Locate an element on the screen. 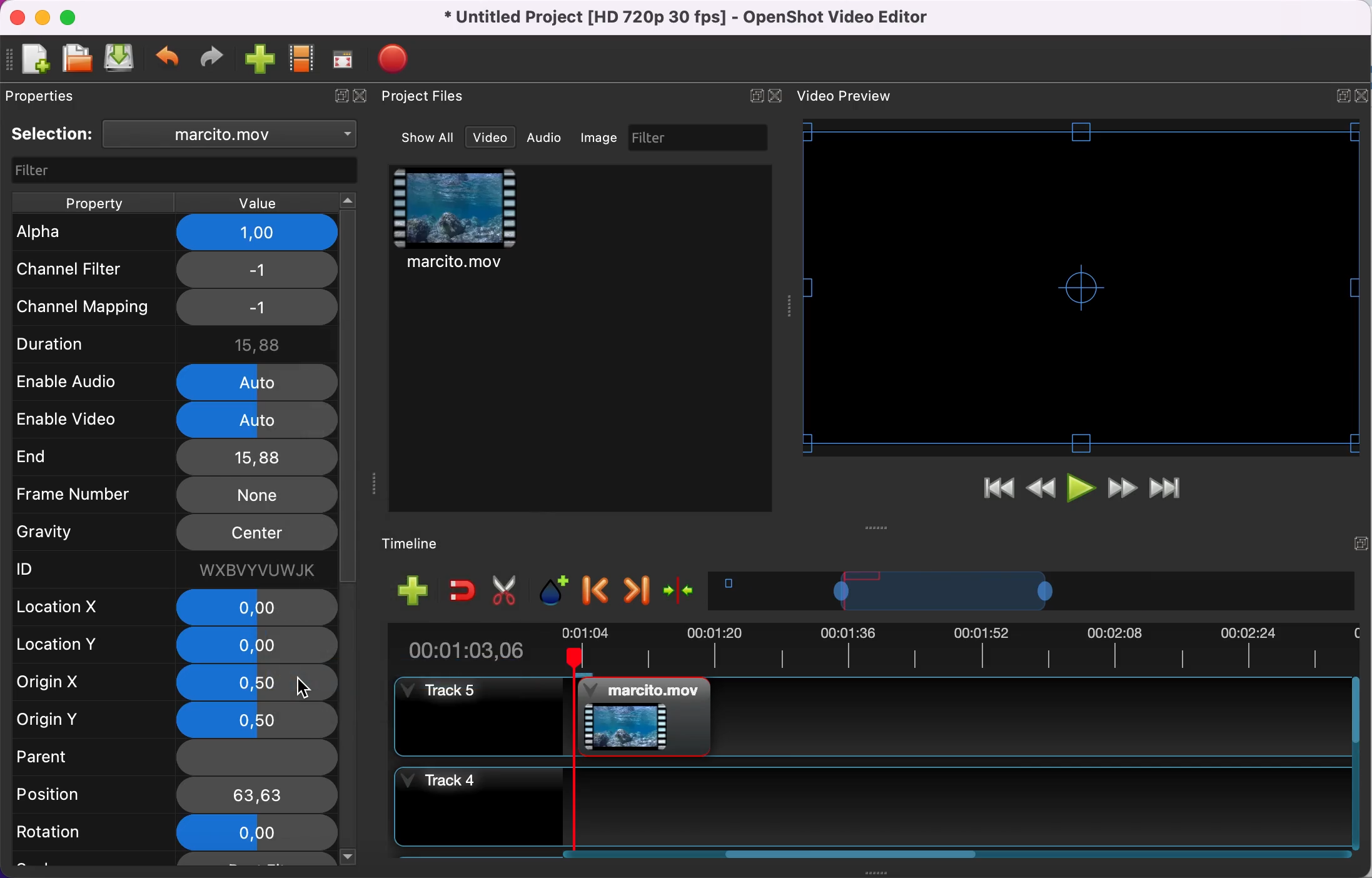 The image size is (1372, 878). audio is located at coordinates (545, 137).